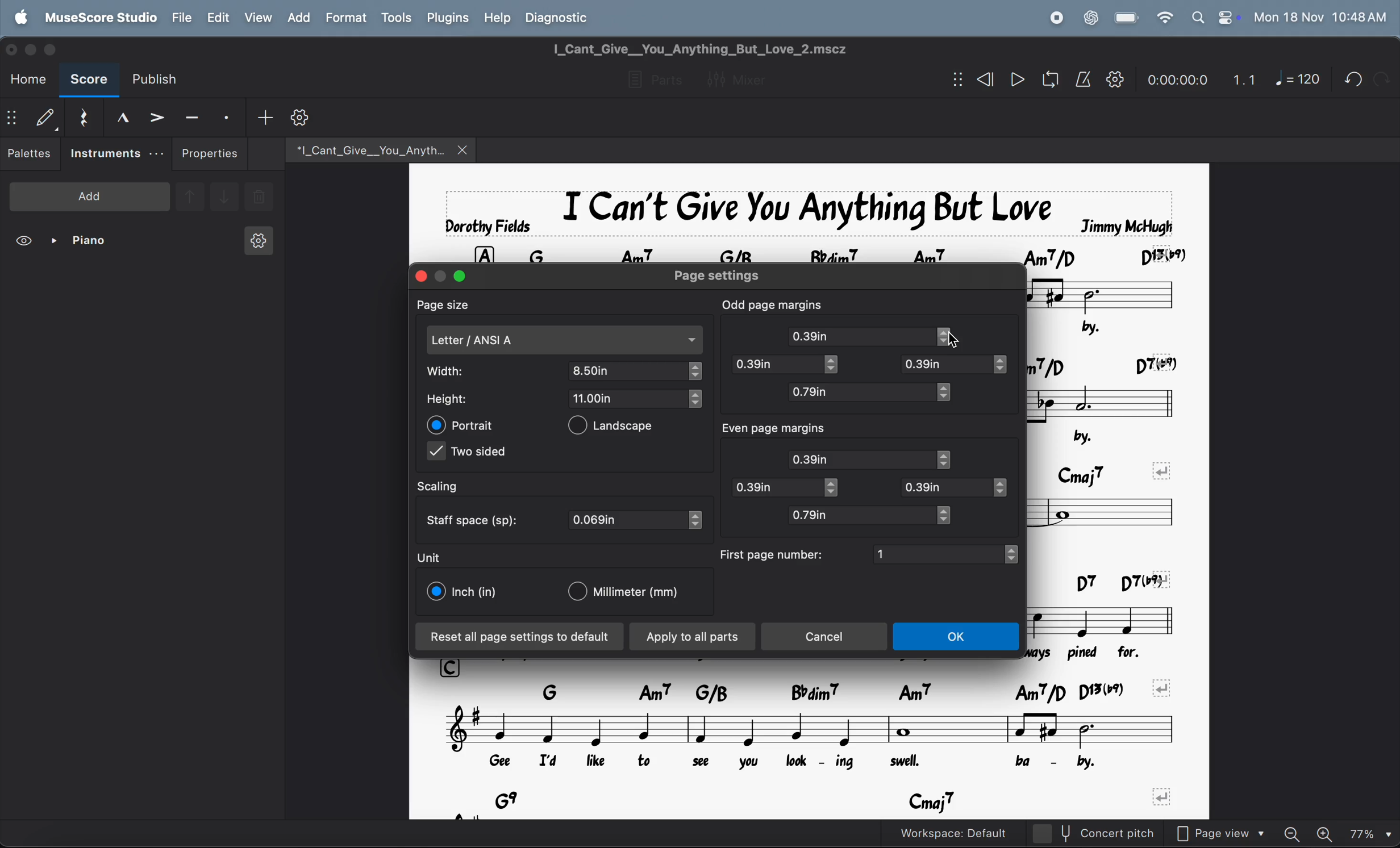 Image resolution: width=1400 pixels, height=848 pixels. I want to click on 0.39in, so click(862, 459).